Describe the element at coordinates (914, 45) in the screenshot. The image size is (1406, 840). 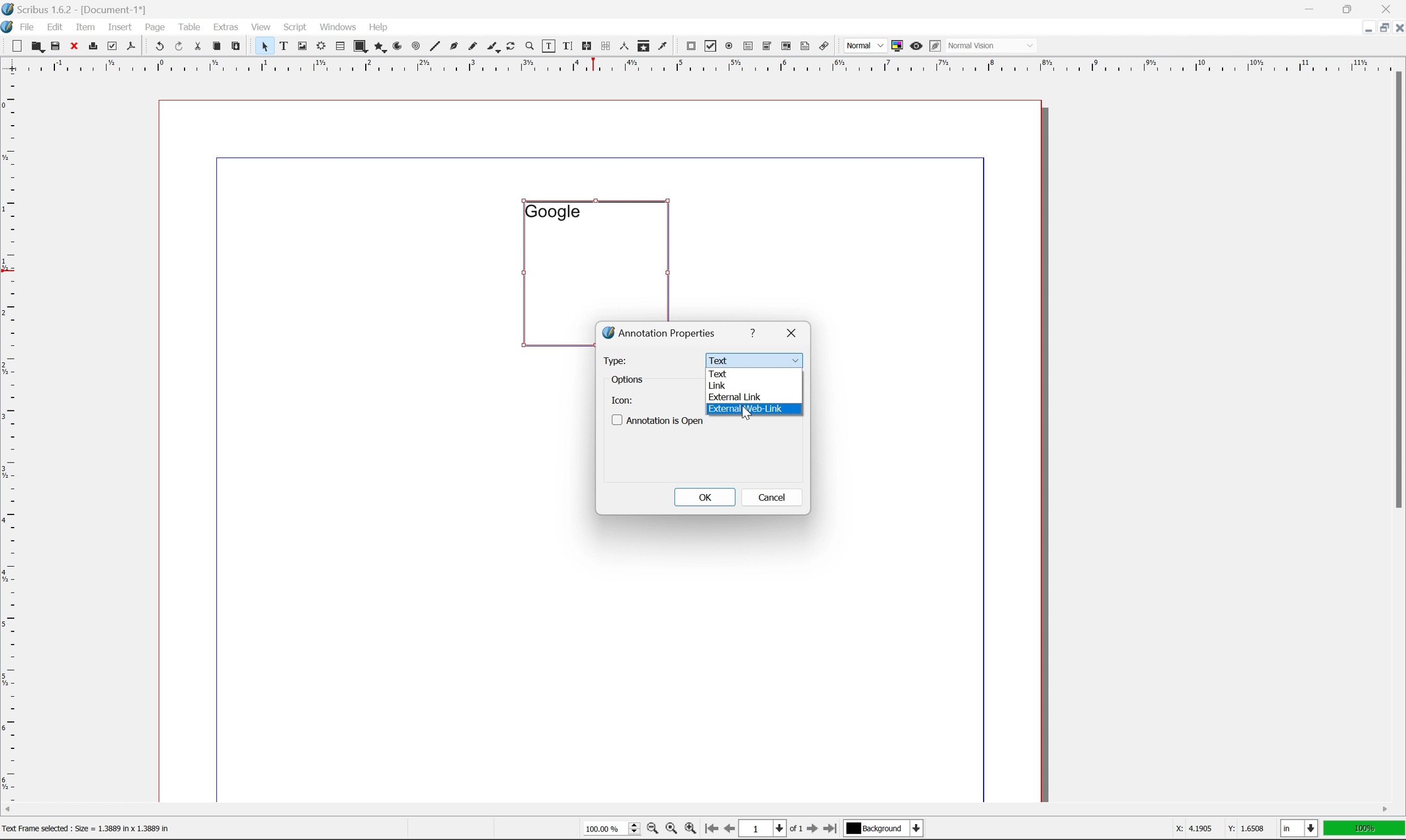
I see `preview mode` at that location.